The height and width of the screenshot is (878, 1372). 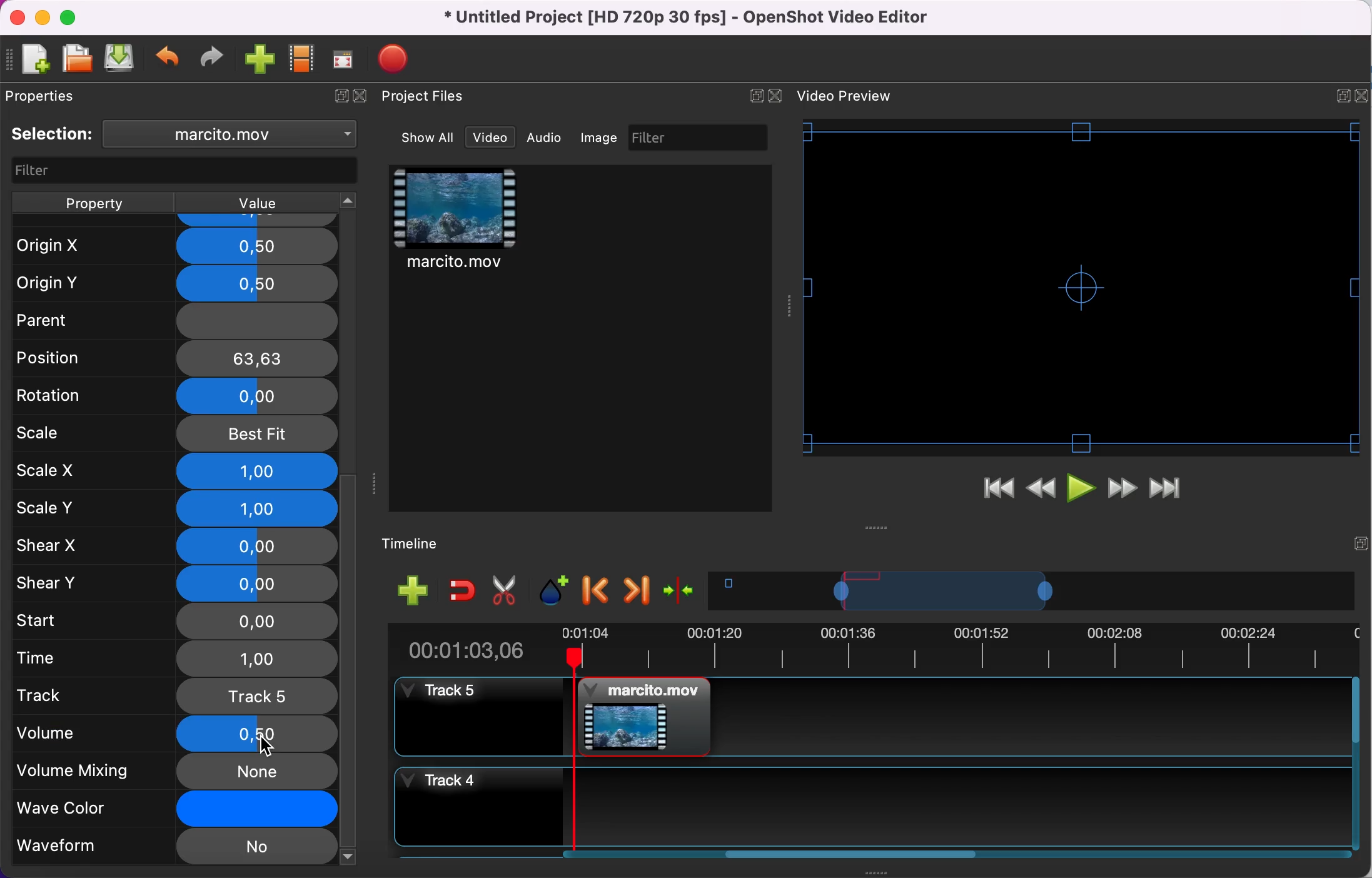 I want to click on close, so click(x=365, y=97).